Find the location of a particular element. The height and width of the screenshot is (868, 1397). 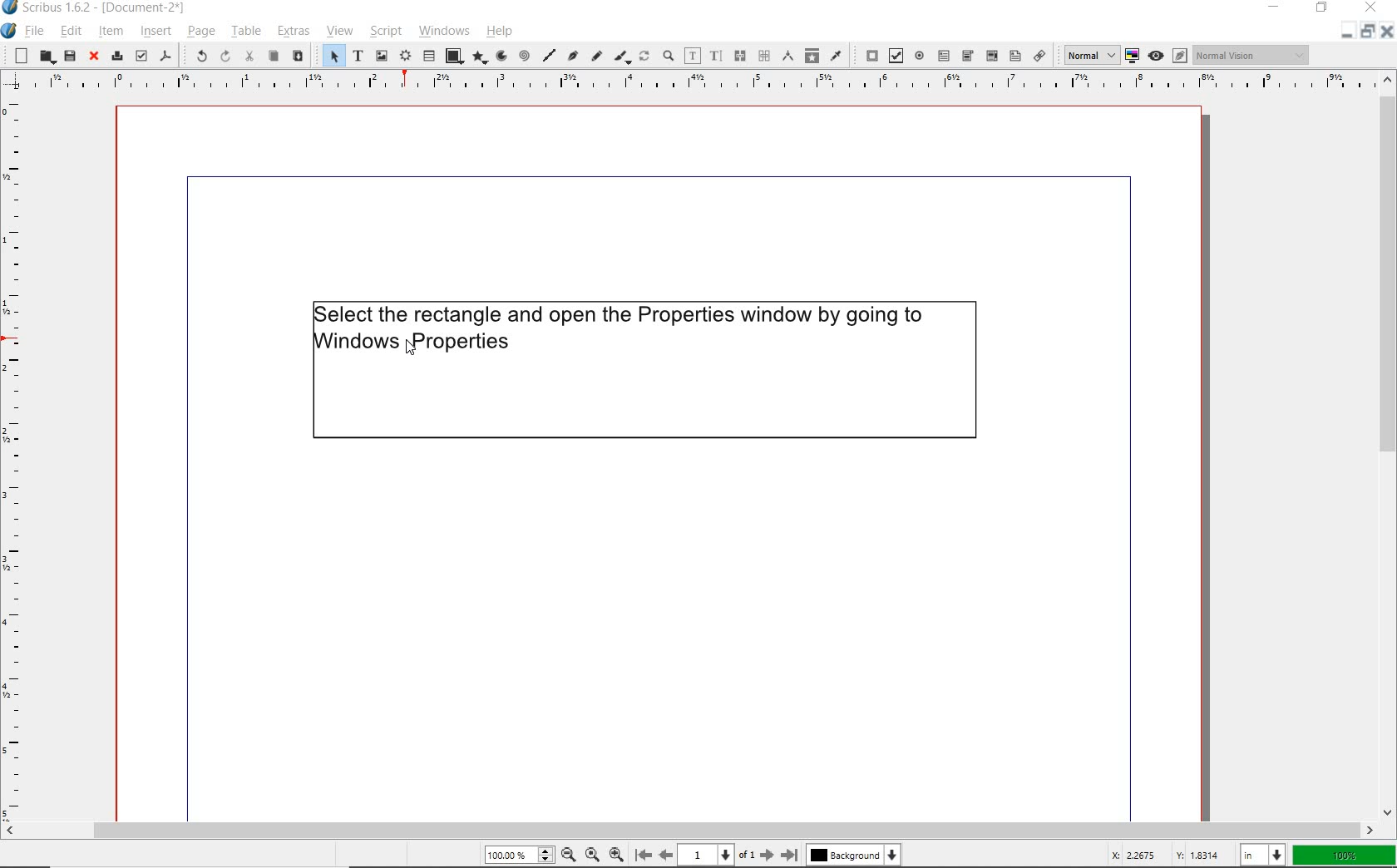

edit is located at coordinates (72, 31).